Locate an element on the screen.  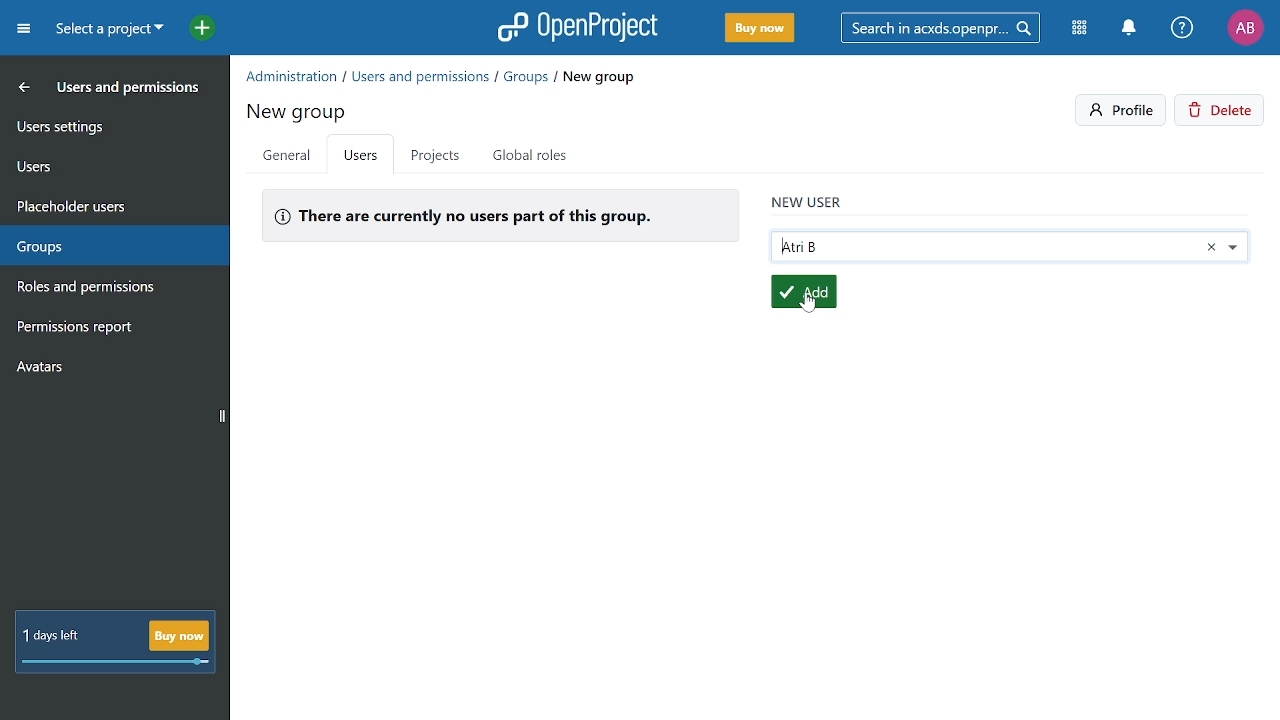
Placeholders users is located at coordinates (112, 204).